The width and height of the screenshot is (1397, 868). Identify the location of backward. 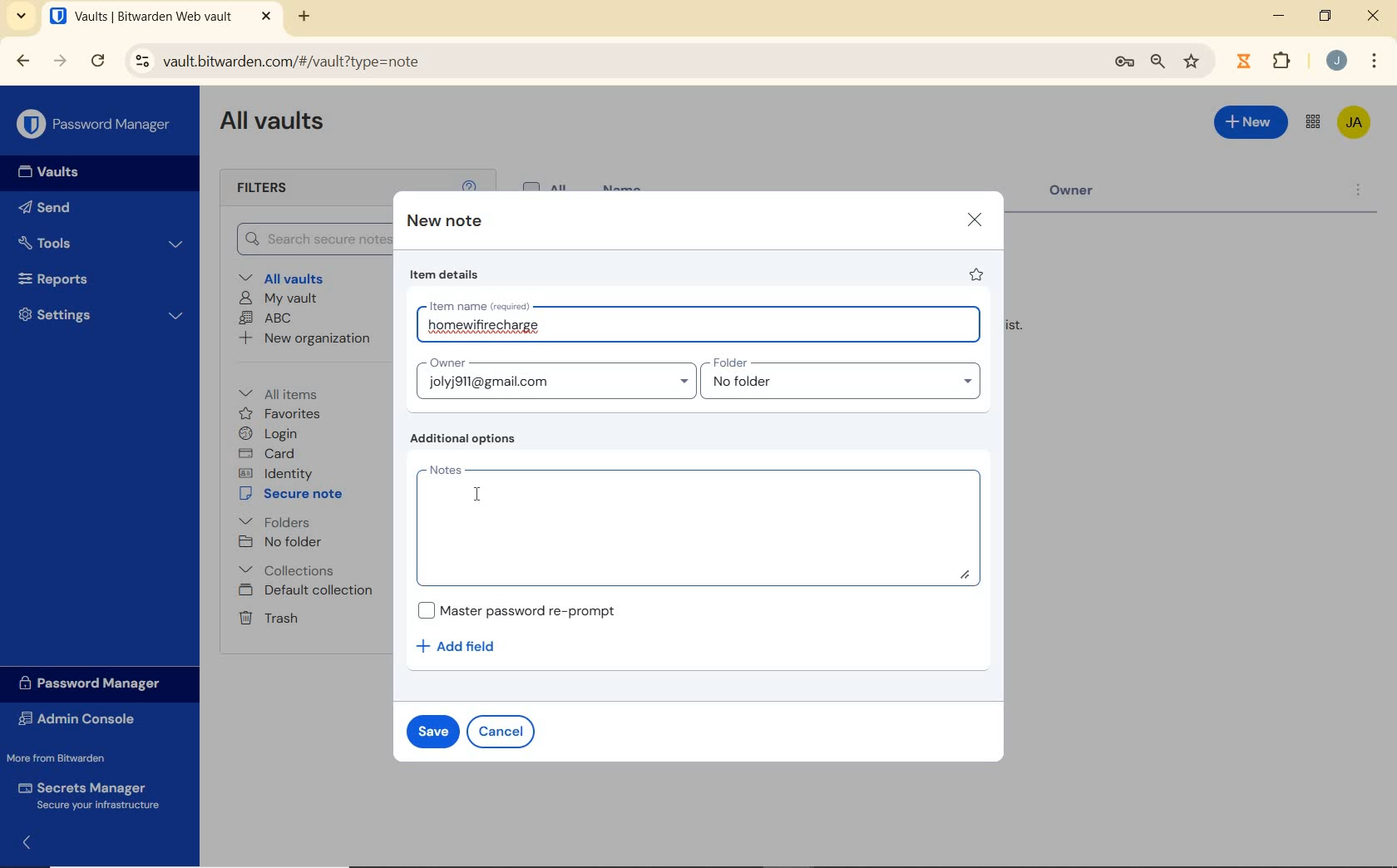
(23, 62).